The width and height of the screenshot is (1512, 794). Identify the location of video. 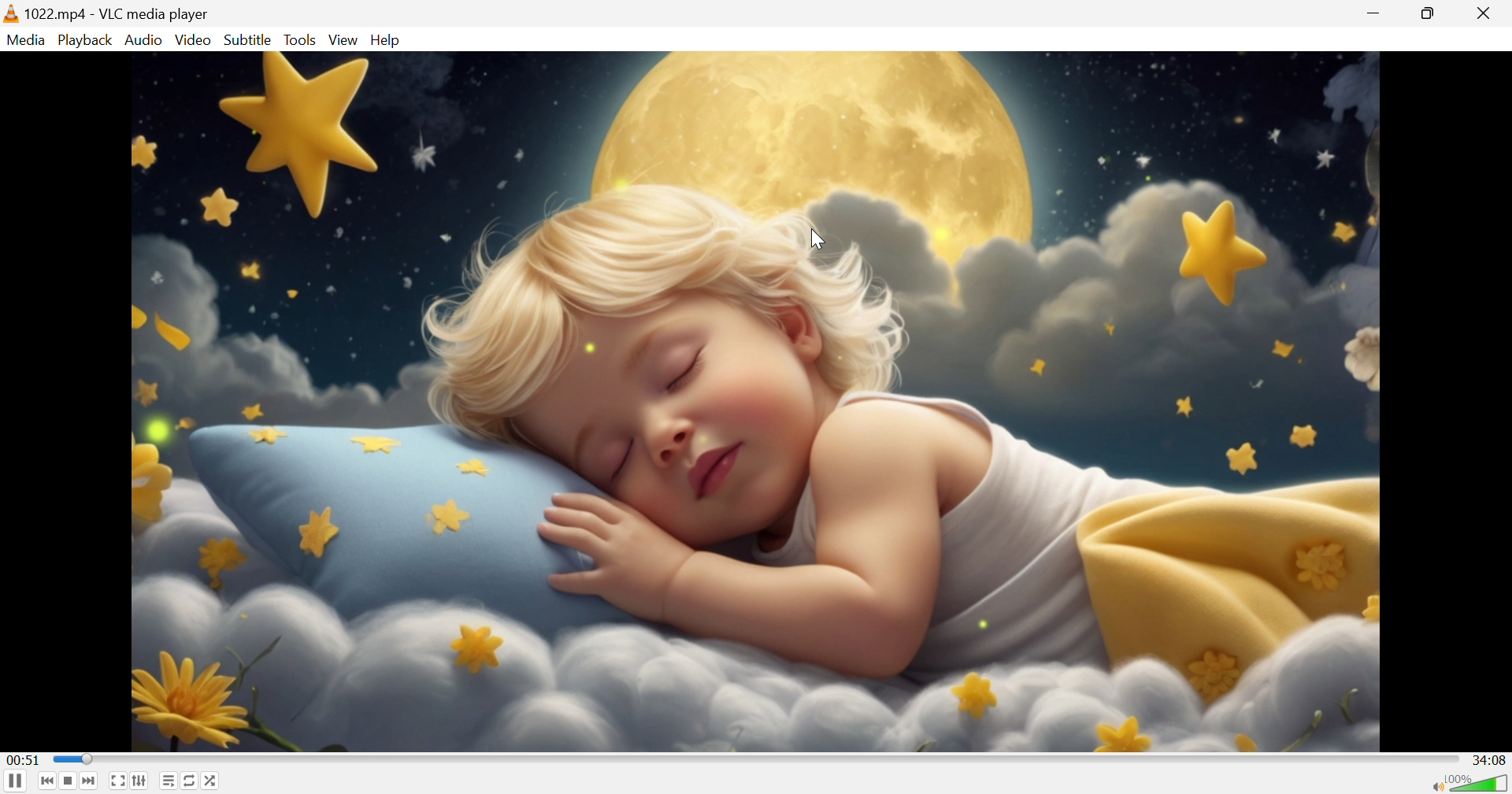
(754, 401).